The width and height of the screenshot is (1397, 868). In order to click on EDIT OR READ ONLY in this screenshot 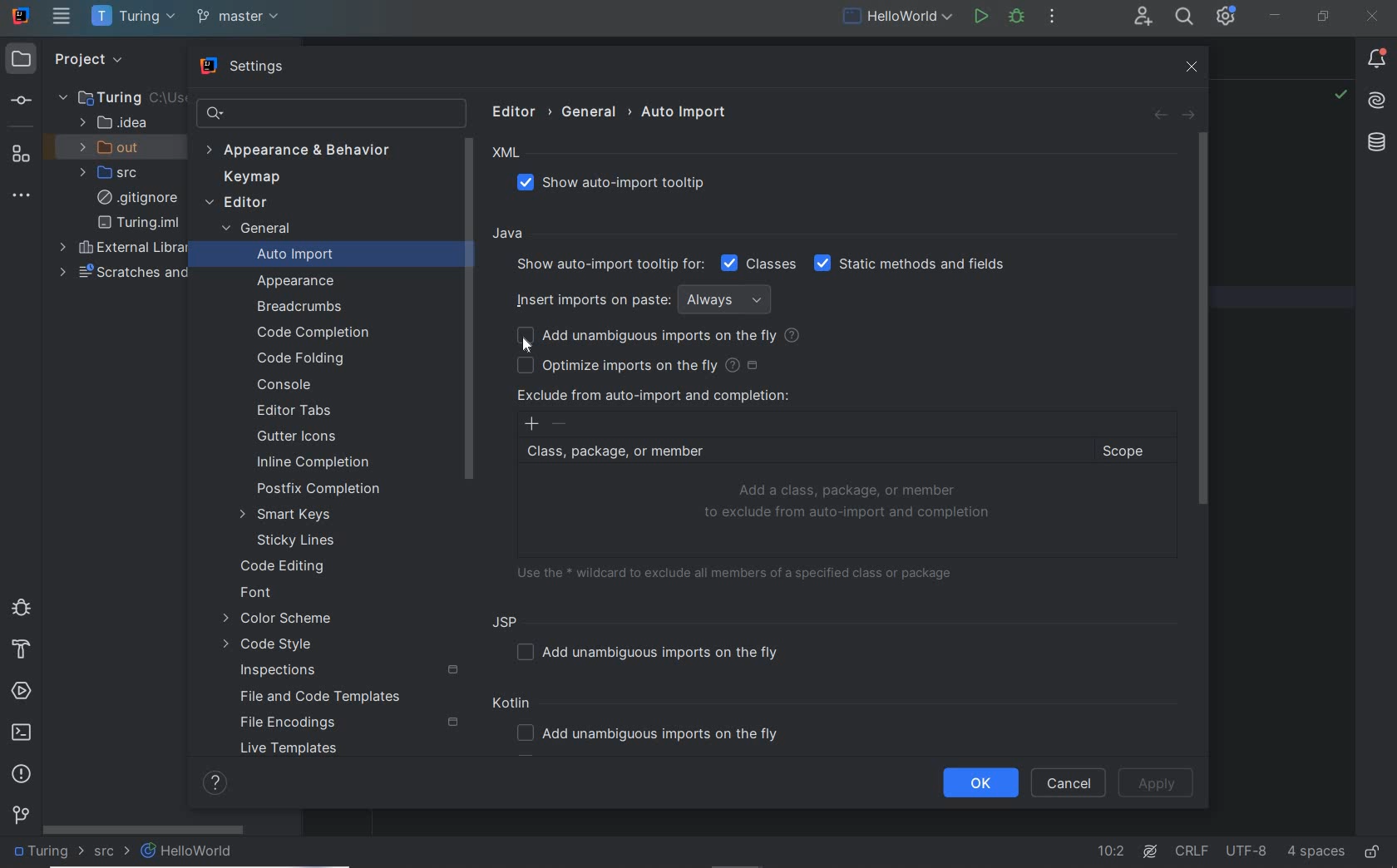, I will do `click(1374, 844)`.